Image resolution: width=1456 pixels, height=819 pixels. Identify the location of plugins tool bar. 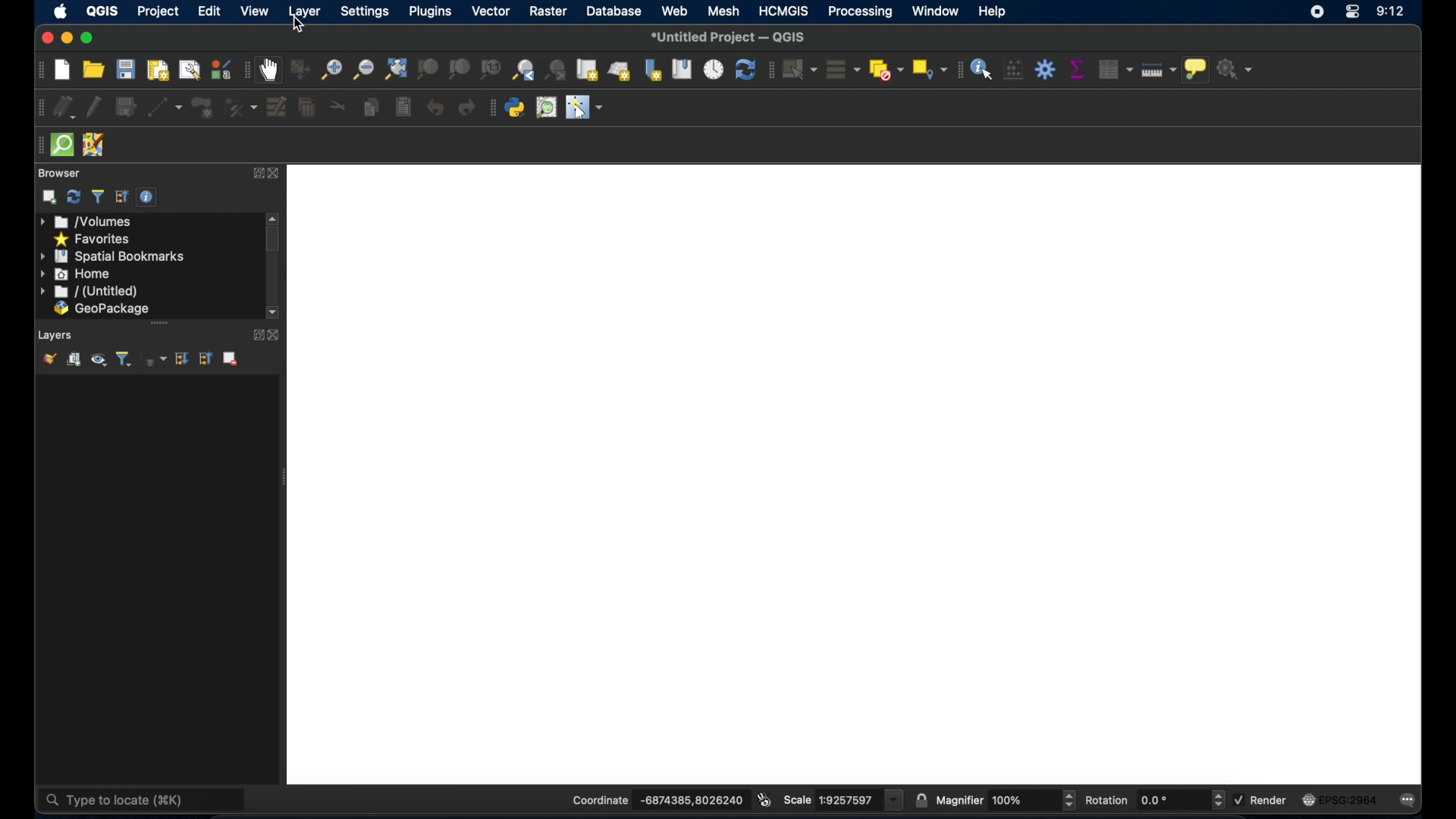
(492, 108).